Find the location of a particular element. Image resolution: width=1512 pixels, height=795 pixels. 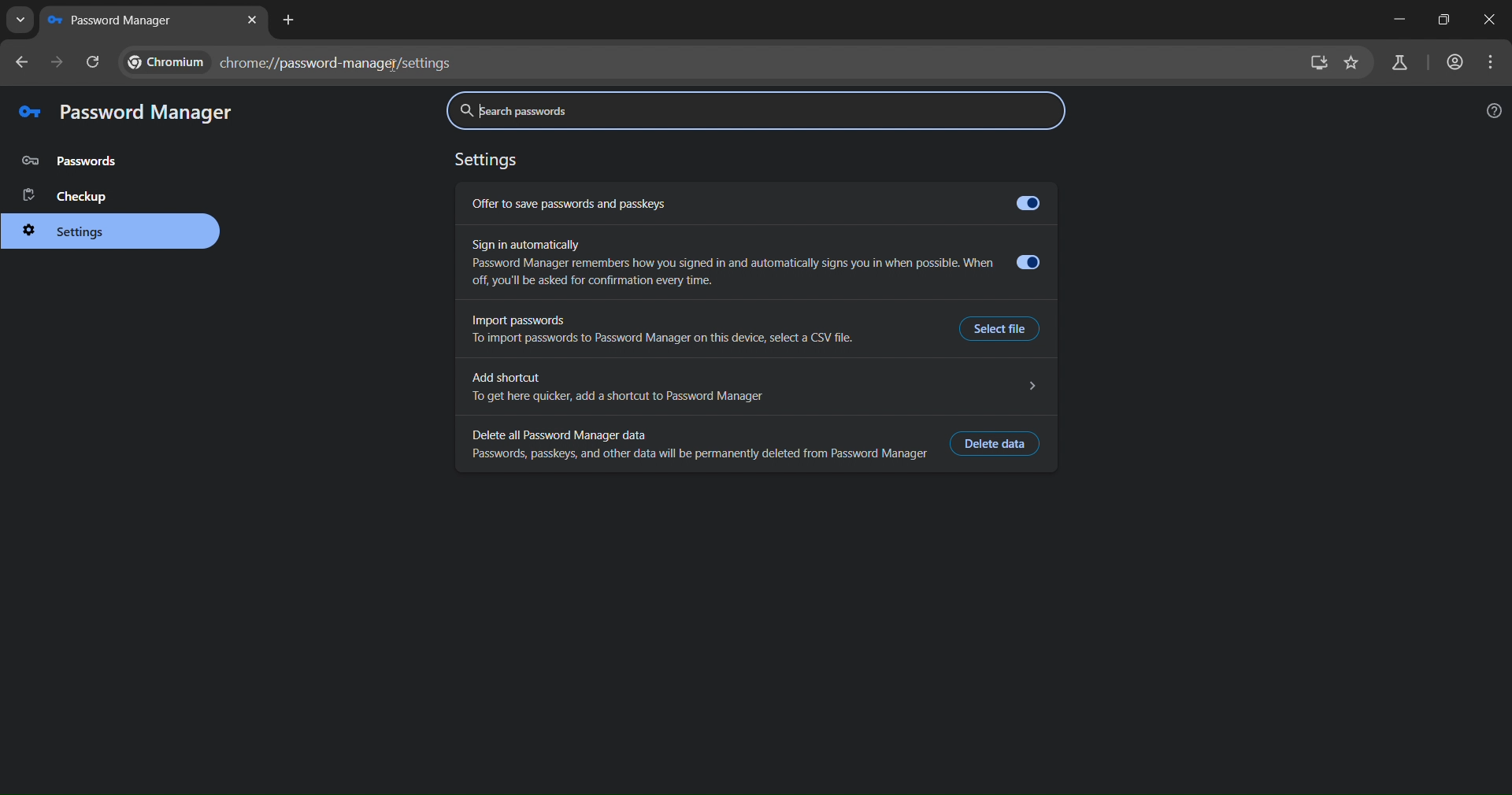

password manager is located at coordinates (135, 114).